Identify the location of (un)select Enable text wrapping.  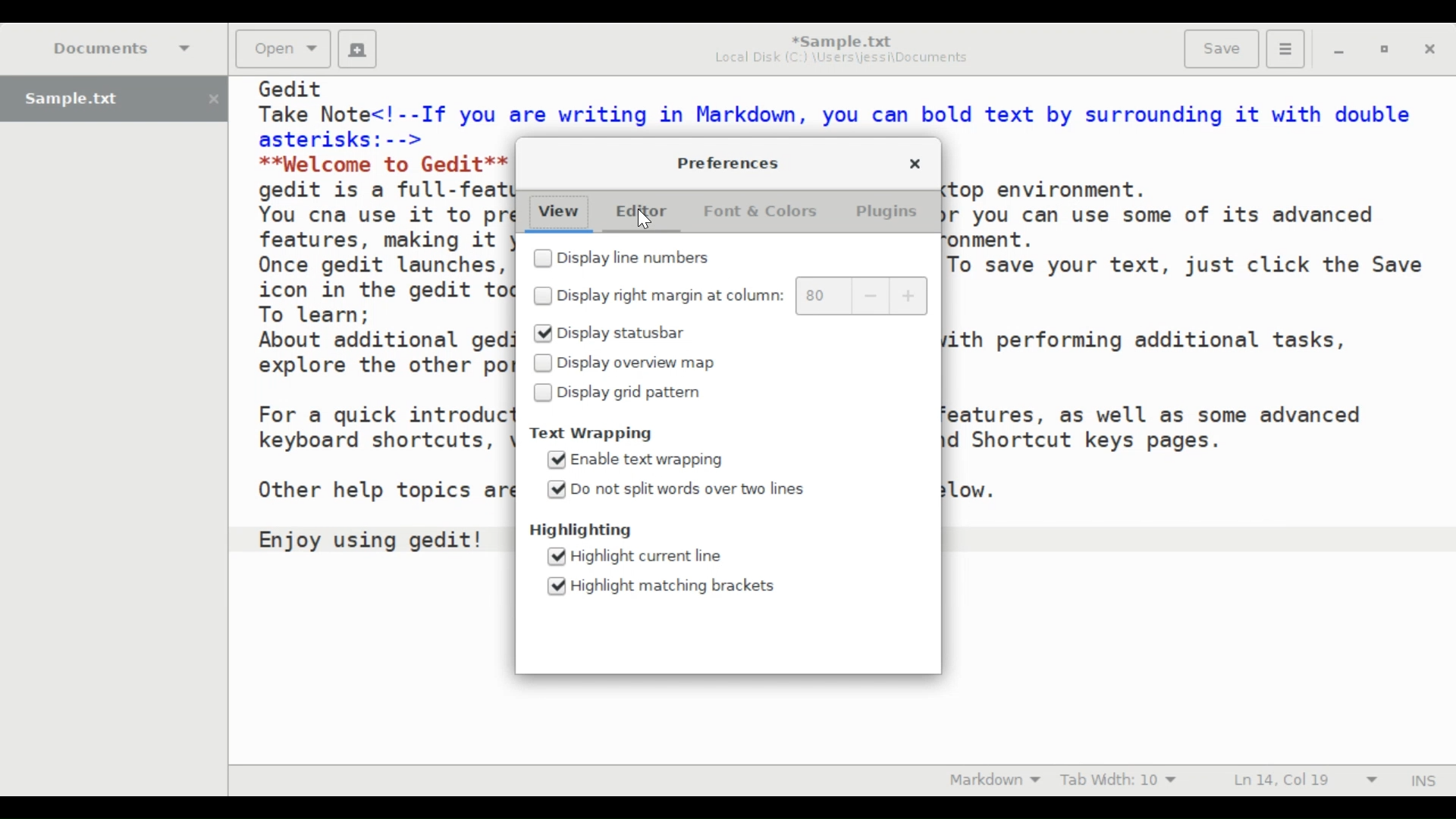
(636, 460).